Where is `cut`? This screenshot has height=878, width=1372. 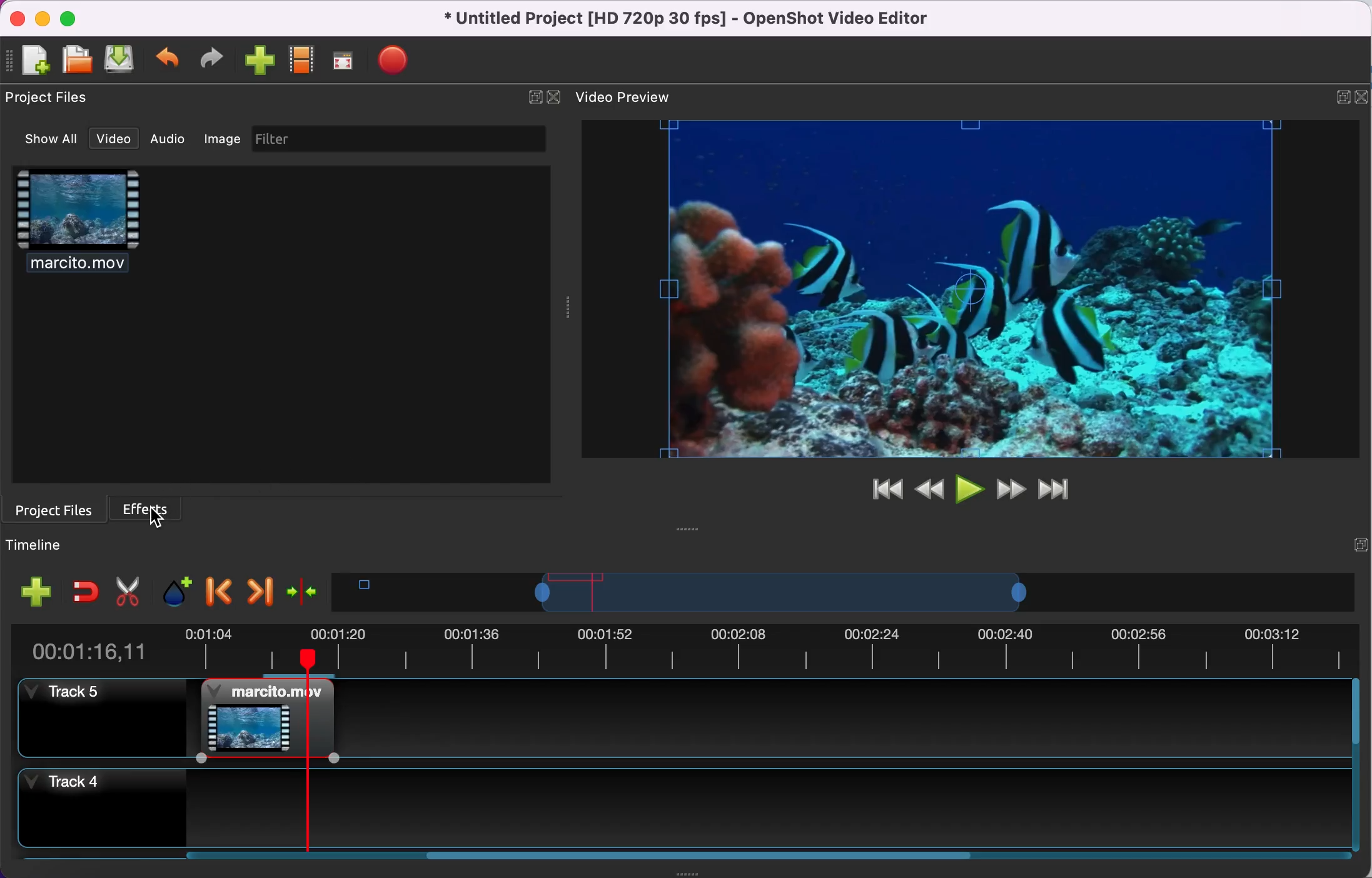
cut is located at coordinates (125, 590).